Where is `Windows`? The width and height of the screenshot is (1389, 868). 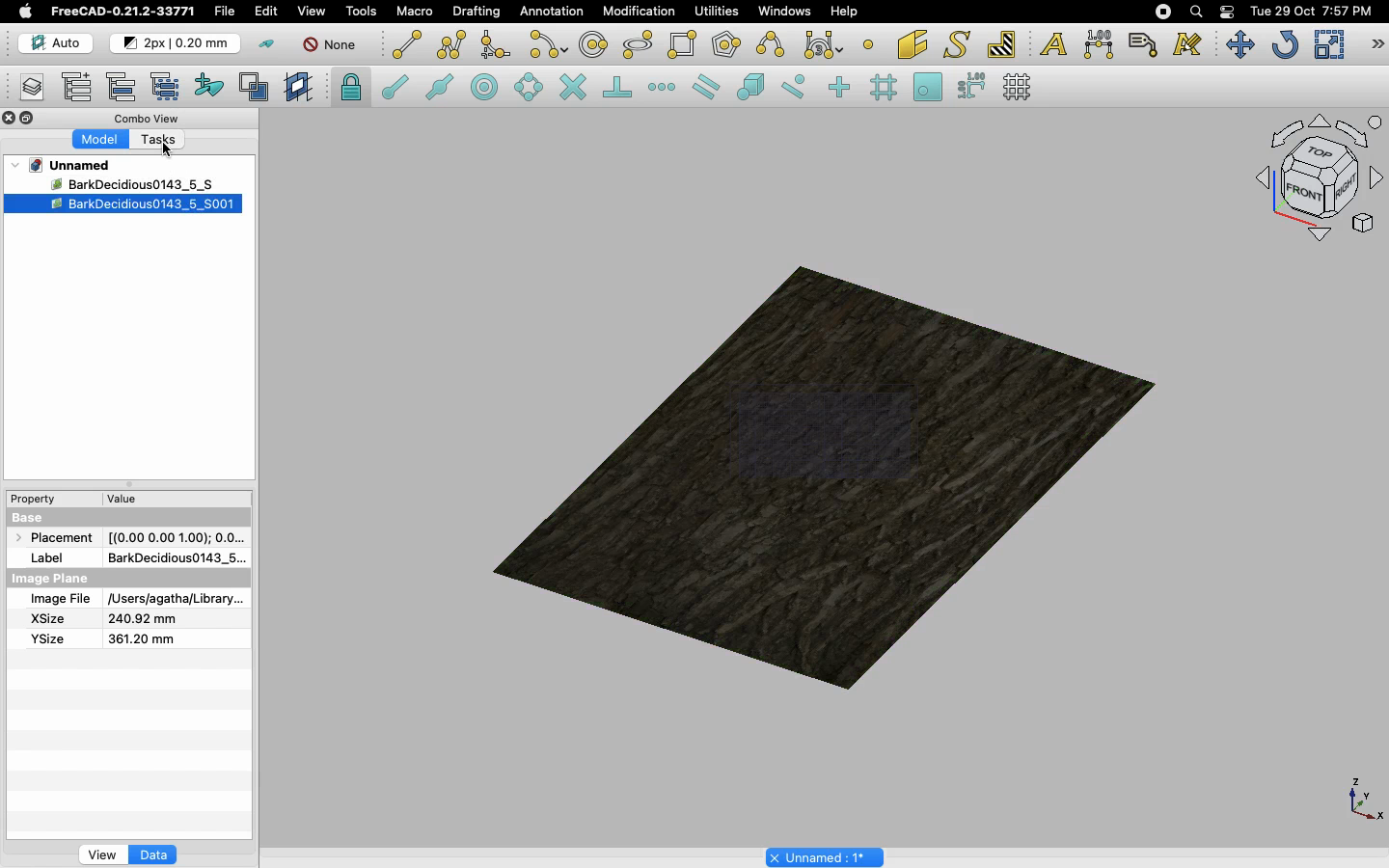
Windows is located at coordinates (789, 14).